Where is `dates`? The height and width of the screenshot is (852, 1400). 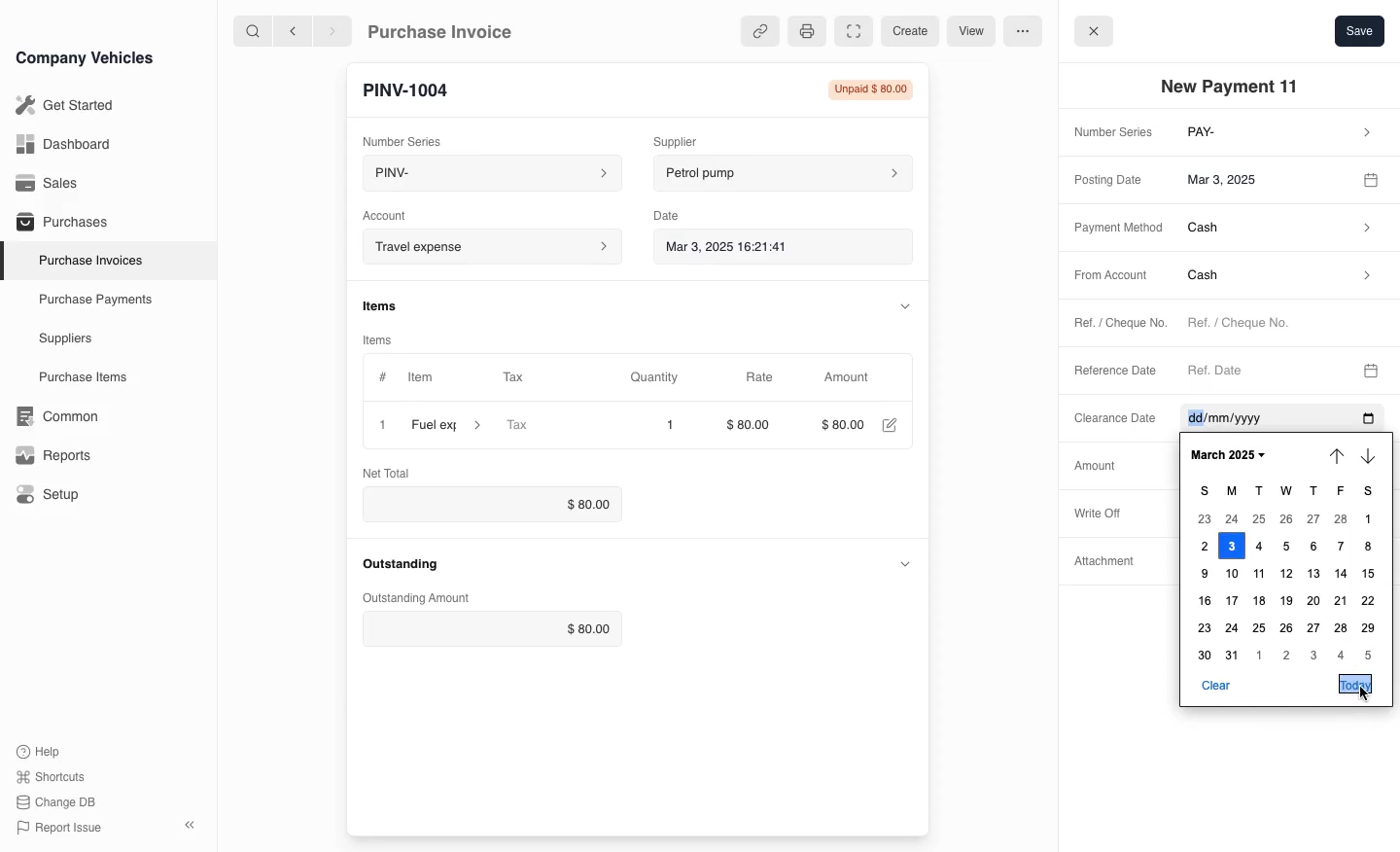
dates is located at coordinates (1286, 587).